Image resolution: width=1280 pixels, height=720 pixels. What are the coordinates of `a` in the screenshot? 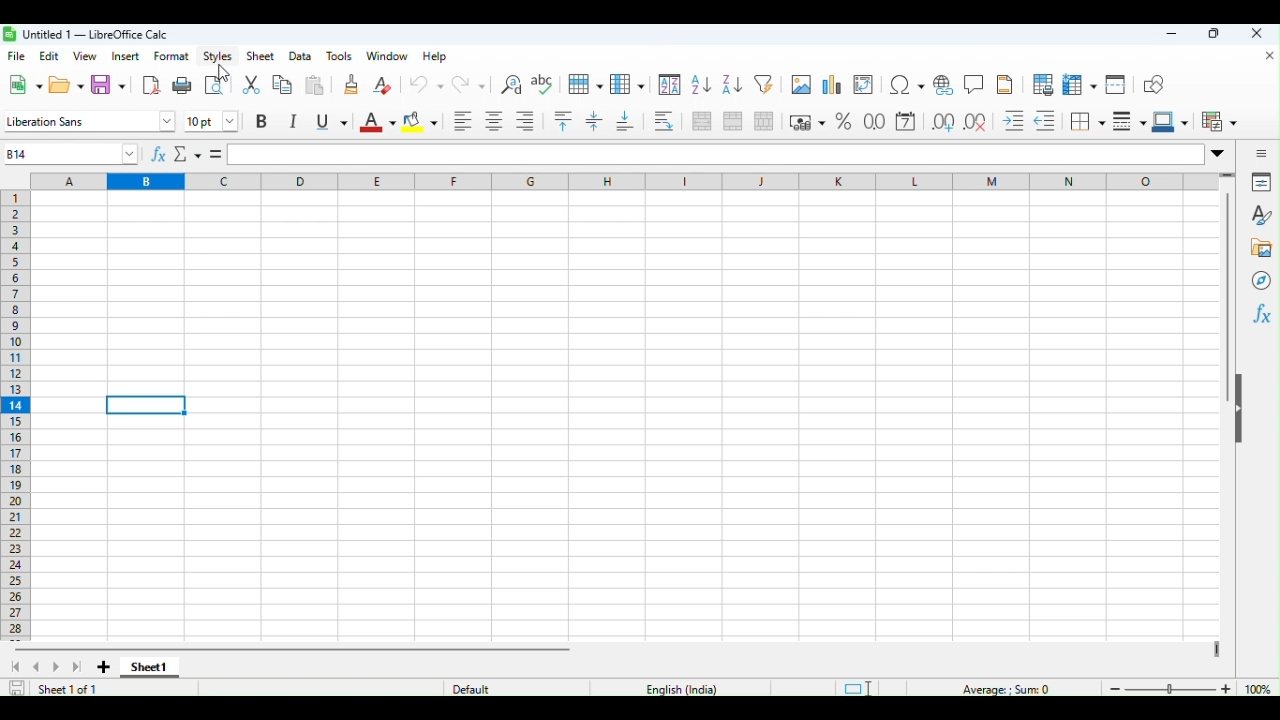 It's located at (62, 180).